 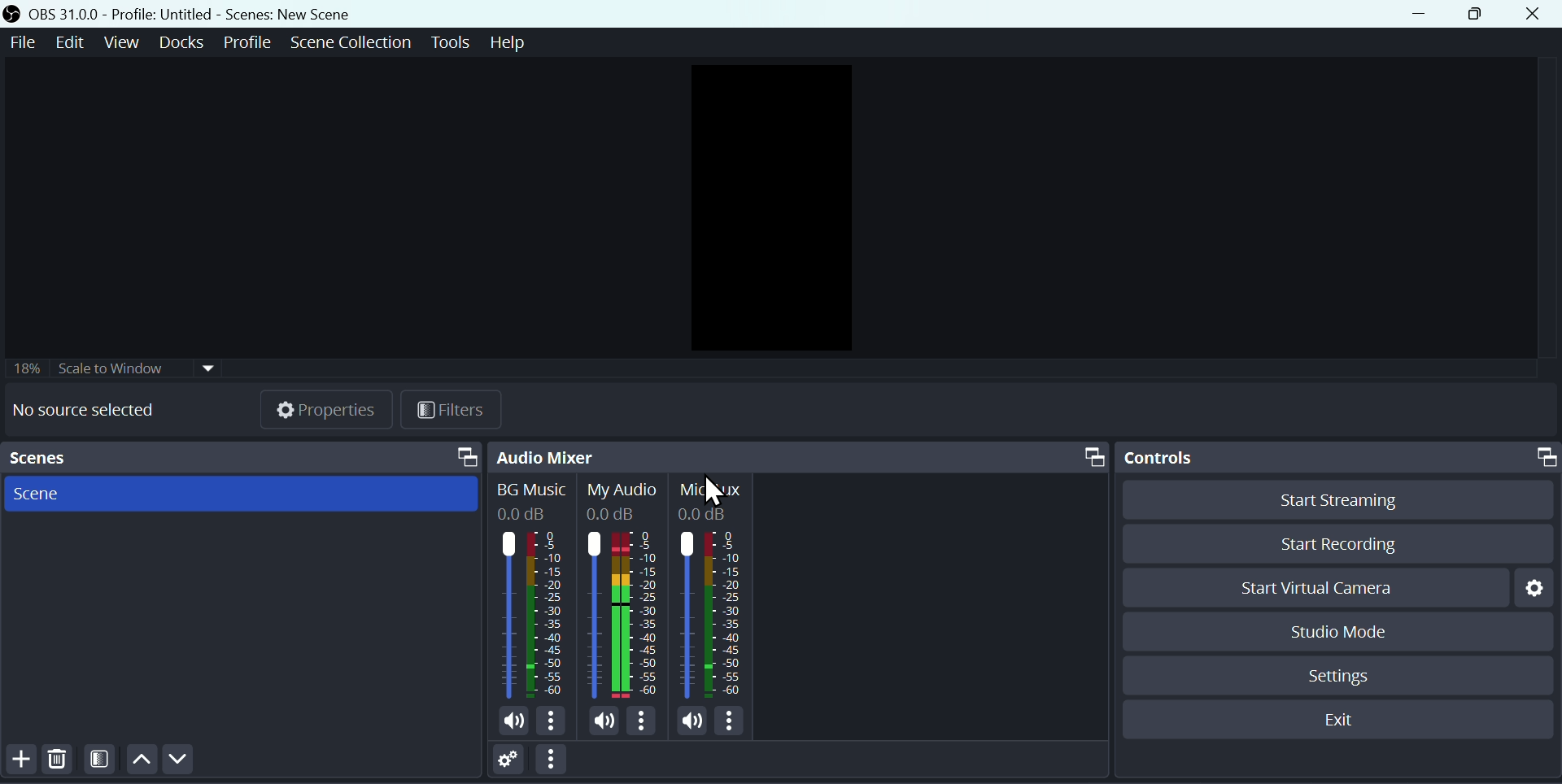 I want to click on minimise, so click(x=1411, y=17).